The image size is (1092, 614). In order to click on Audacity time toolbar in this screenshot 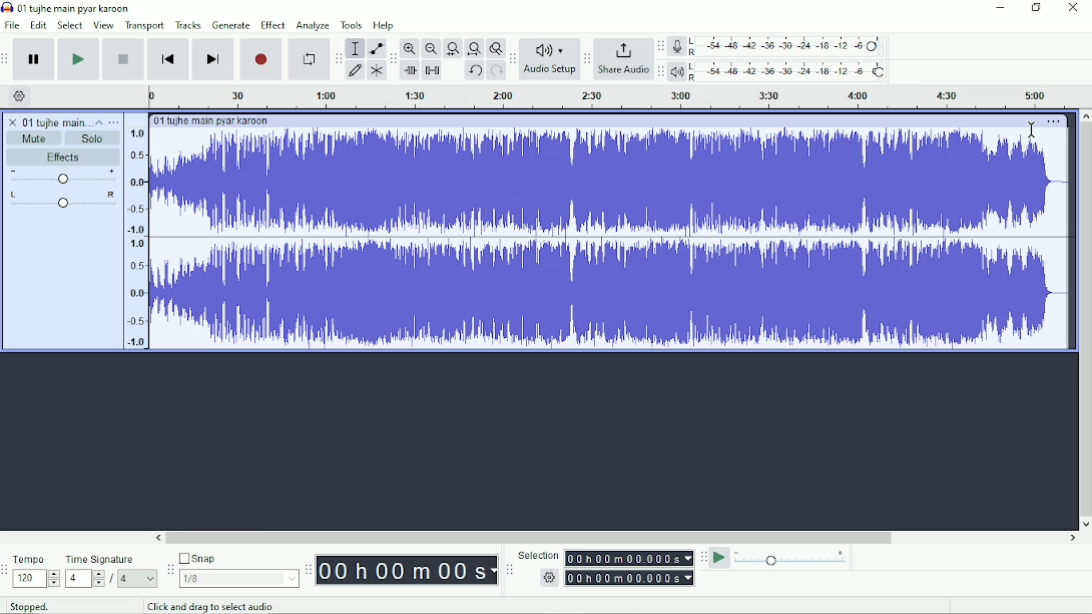, I will do `click(309, 570)`.